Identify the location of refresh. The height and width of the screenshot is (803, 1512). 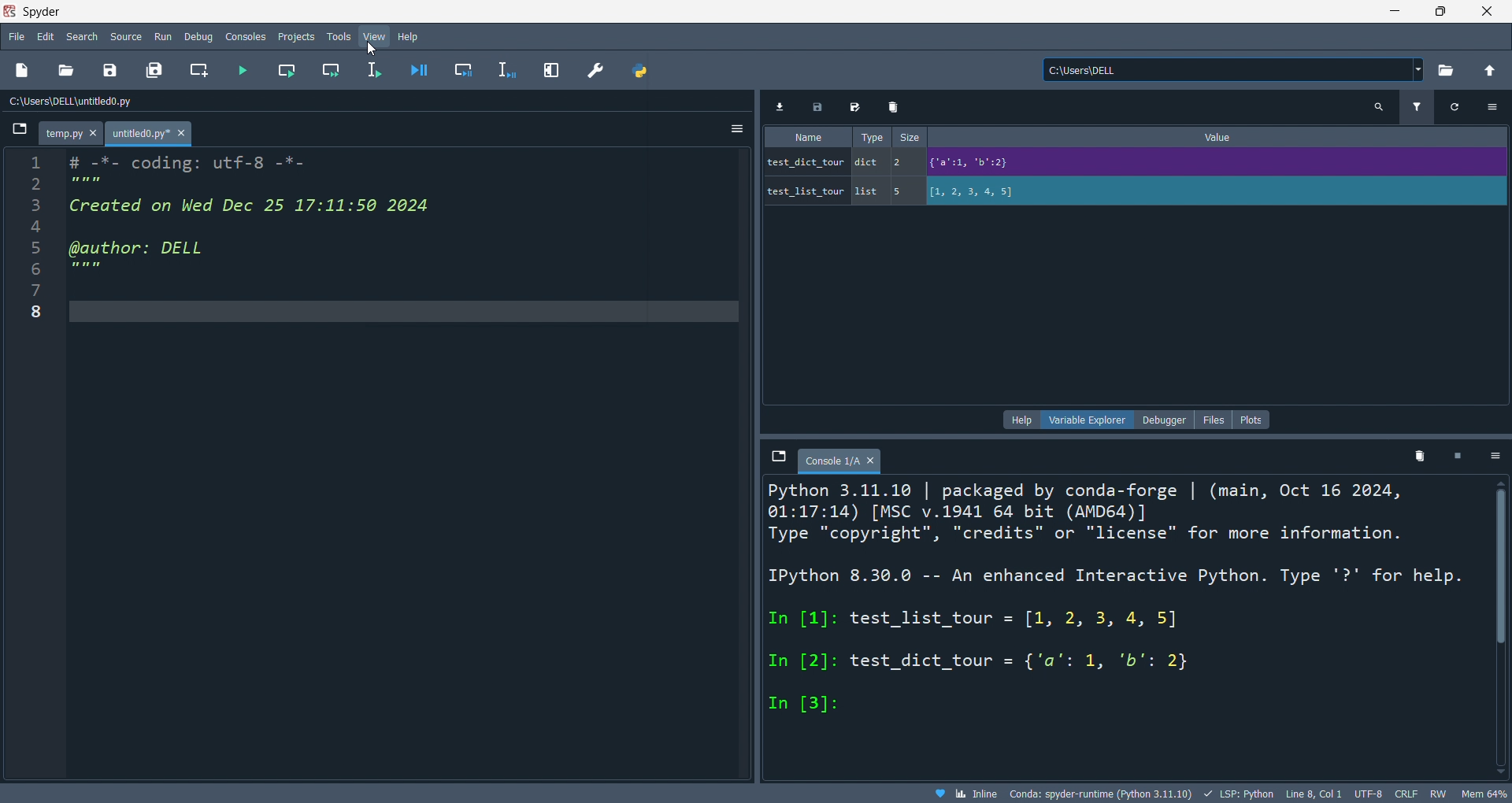
(1451, 107).